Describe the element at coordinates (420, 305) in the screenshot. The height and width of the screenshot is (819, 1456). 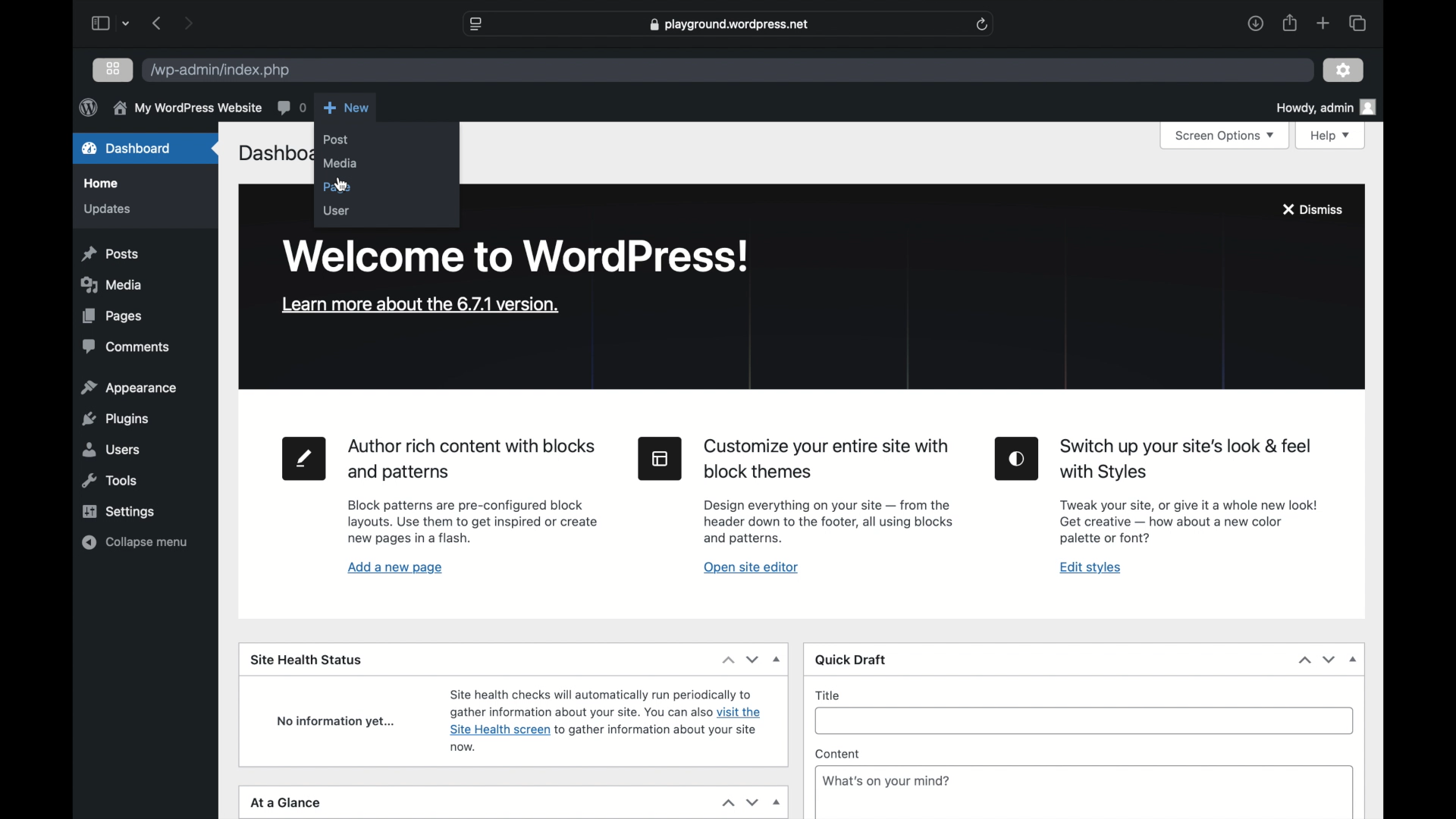
I see `learn more about the 6.7.1 version` at that location.